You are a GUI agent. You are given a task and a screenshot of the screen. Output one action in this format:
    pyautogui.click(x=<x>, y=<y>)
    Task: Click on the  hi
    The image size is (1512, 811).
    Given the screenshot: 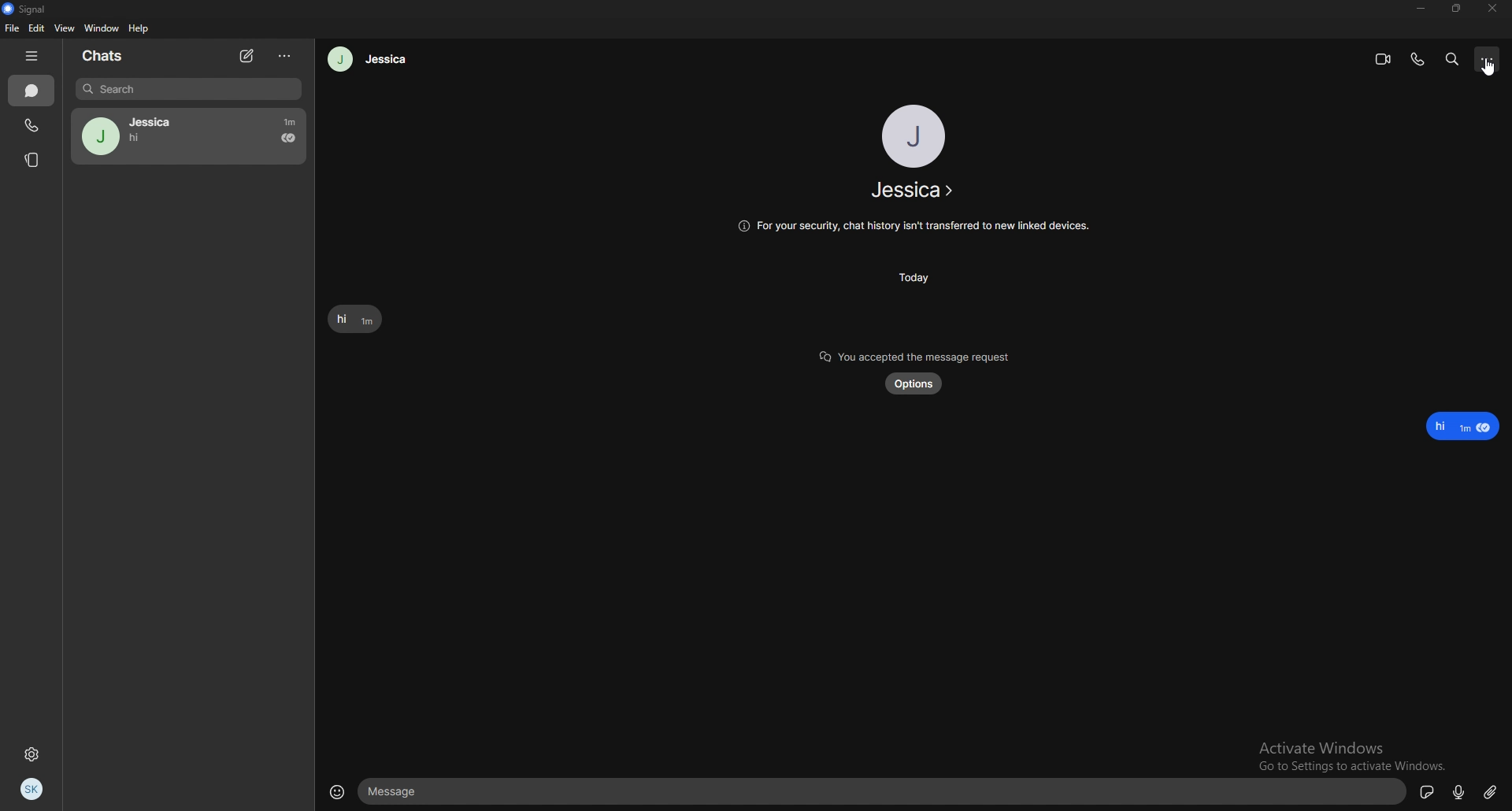 What is the action you would take?
    pyautogui.click(x=1465, y=426)
    